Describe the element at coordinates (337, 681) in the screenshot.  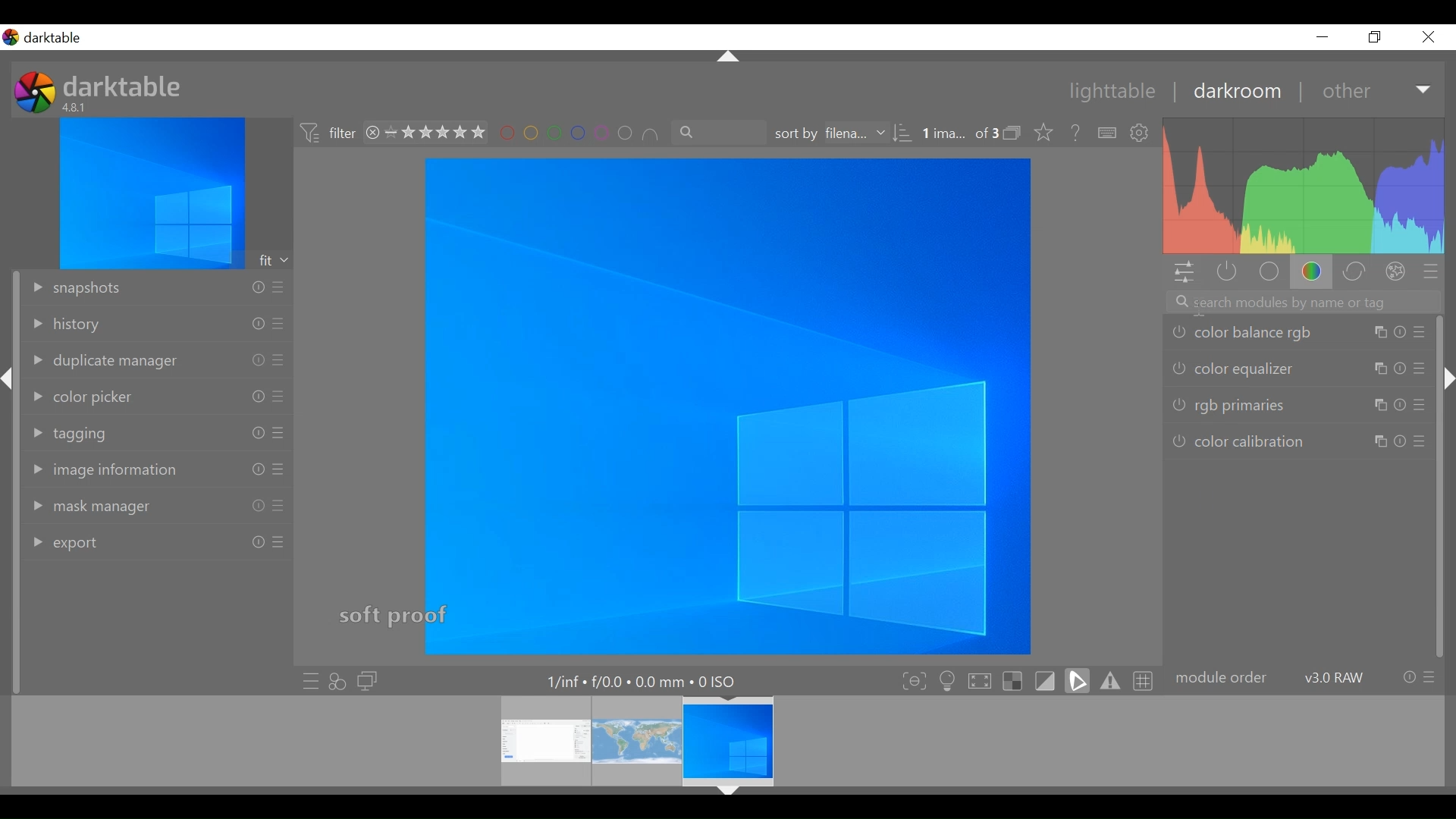
I see `quick access for applying any styles` at that location.